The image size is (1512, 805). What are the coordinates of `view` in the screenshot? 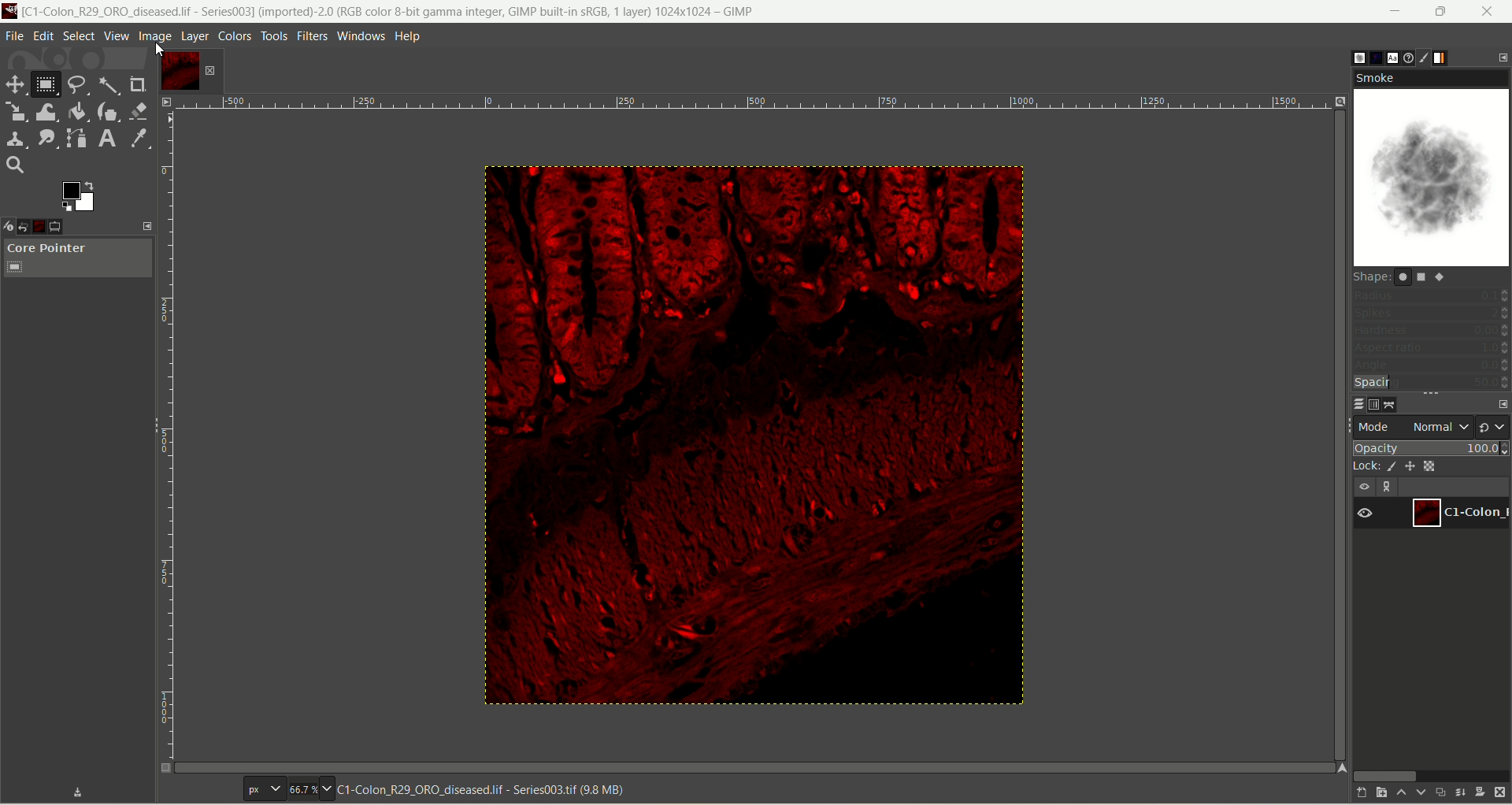 It's located at (117, 35).